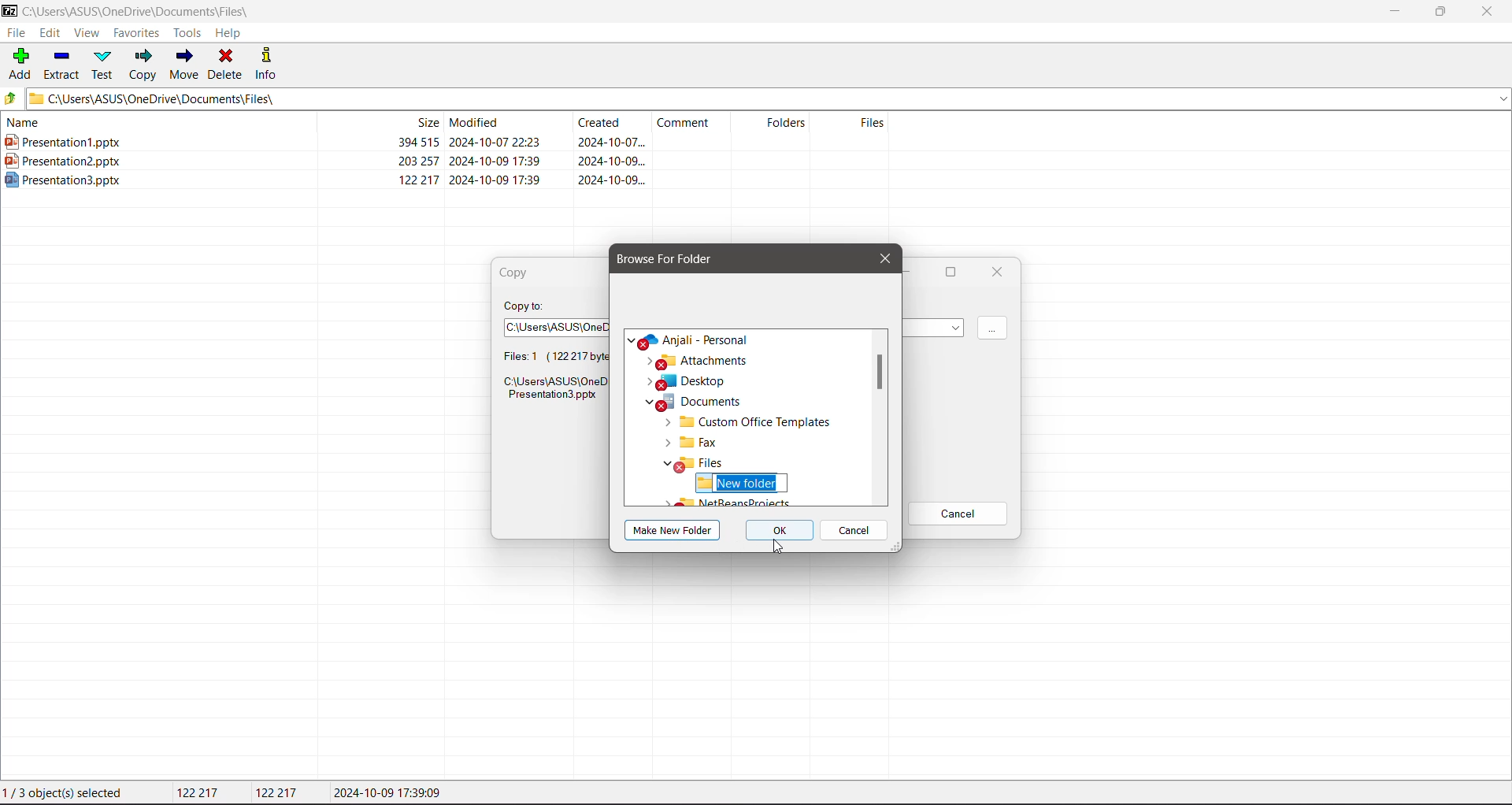 This screenshot has width=1512, height=805. What do you see at coordinates (279, 792) in the screenshot?
I see `Size of the last file selected` at bounding box center [279, 792].